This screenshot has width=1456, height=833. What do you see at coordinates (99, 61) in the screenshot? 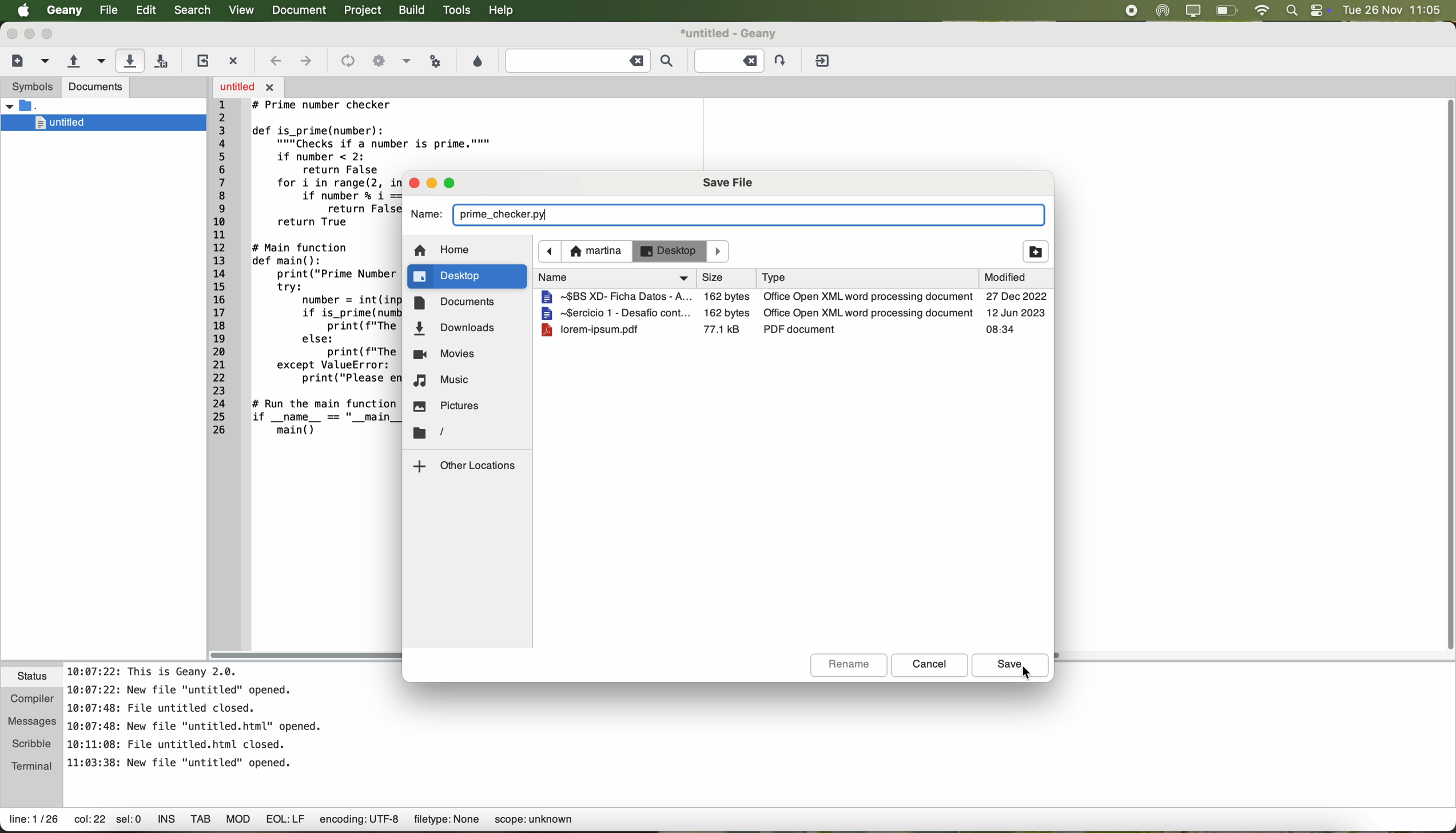
I see `open a recent file` at bounding box center [99, 61].